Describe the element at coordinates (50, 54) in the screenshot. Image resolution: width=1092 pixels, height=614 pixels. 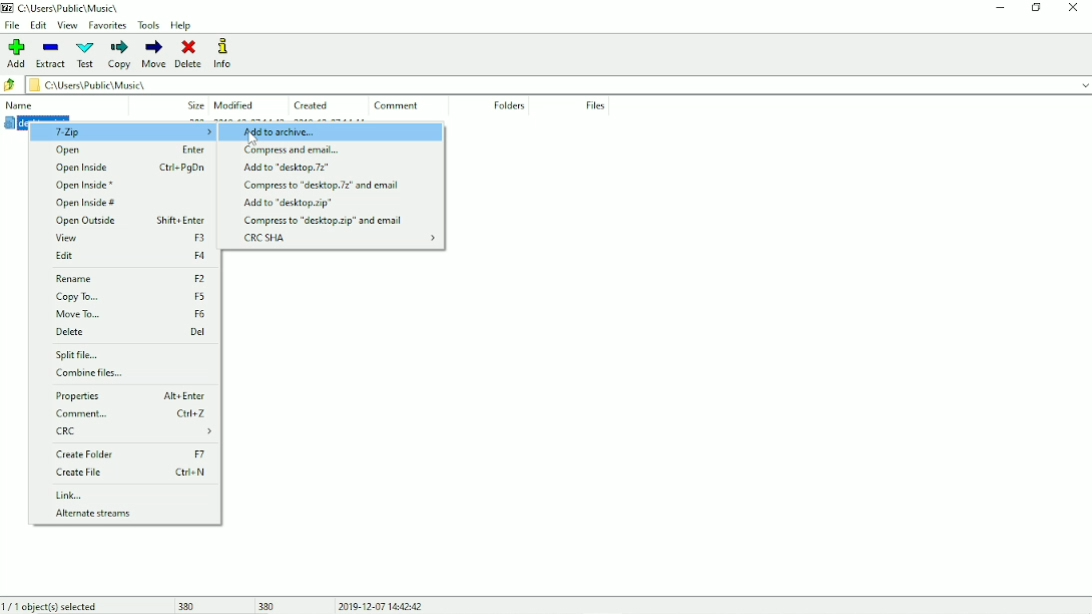
I see `Extract` at that location.